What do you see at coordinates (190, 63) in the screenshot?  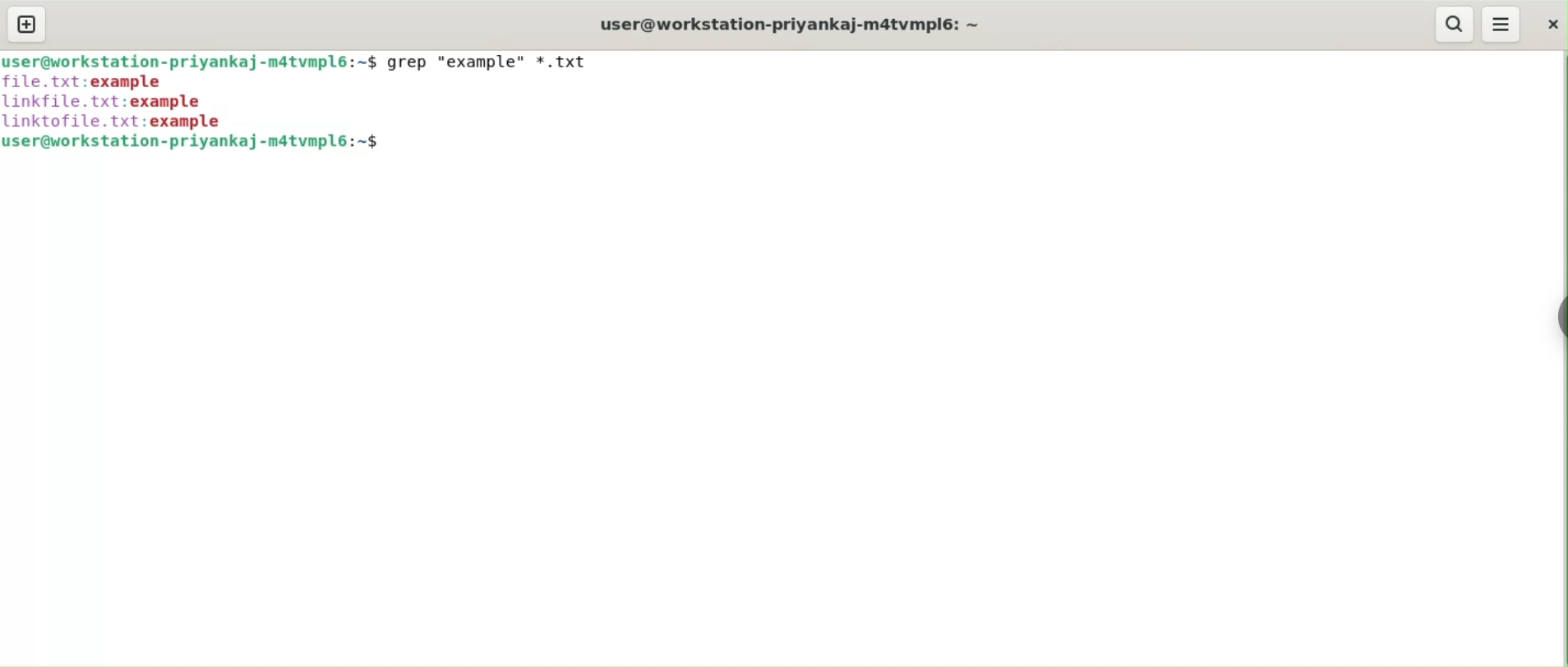 I see `user@workstation-priyankaj-matvmpiLo:~%` at bounding box center [190, 63].